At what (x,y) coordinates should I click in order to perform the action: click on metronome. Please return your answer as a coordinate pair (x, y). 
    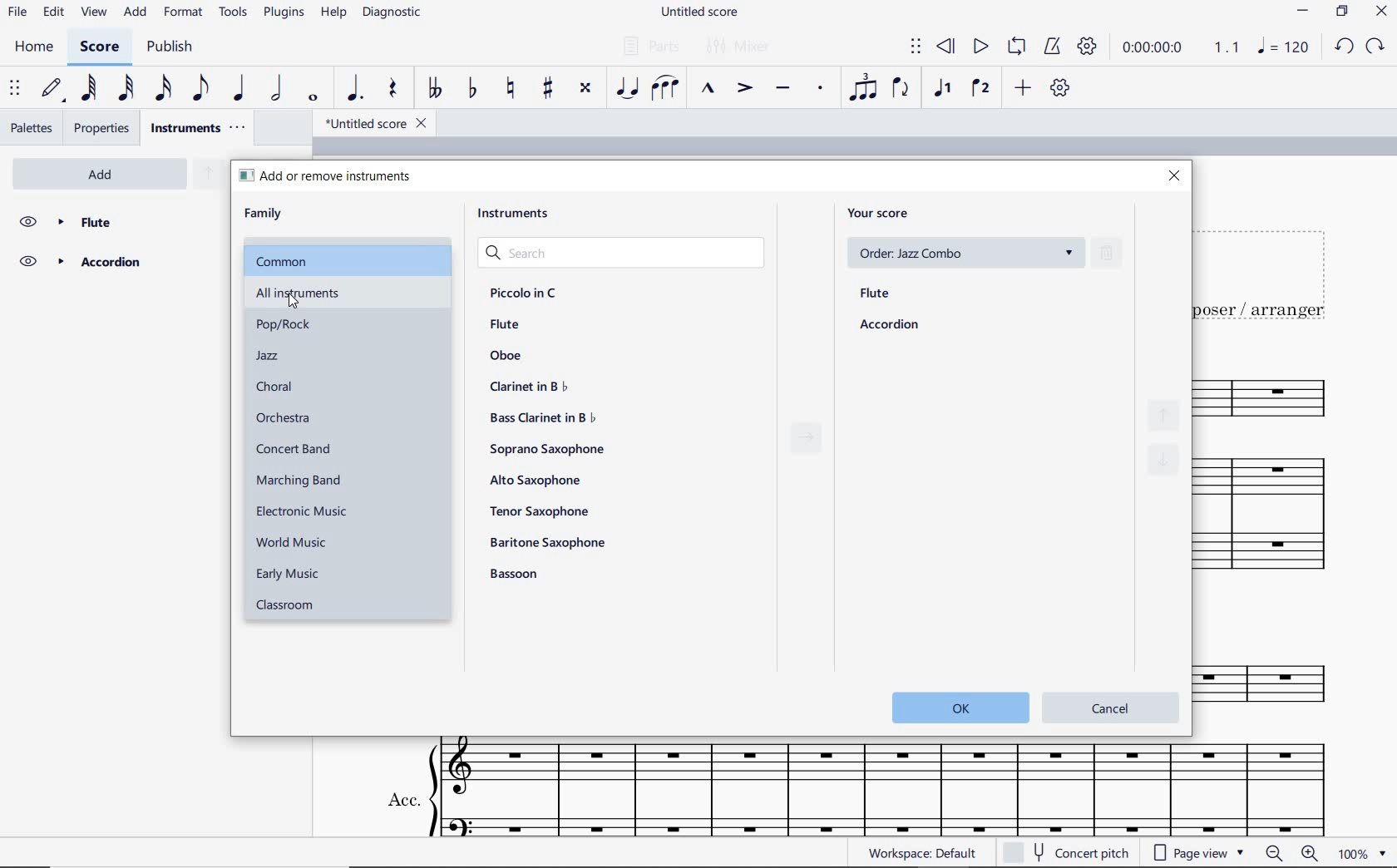
    Looking at the image, I should click on (1051, 47).